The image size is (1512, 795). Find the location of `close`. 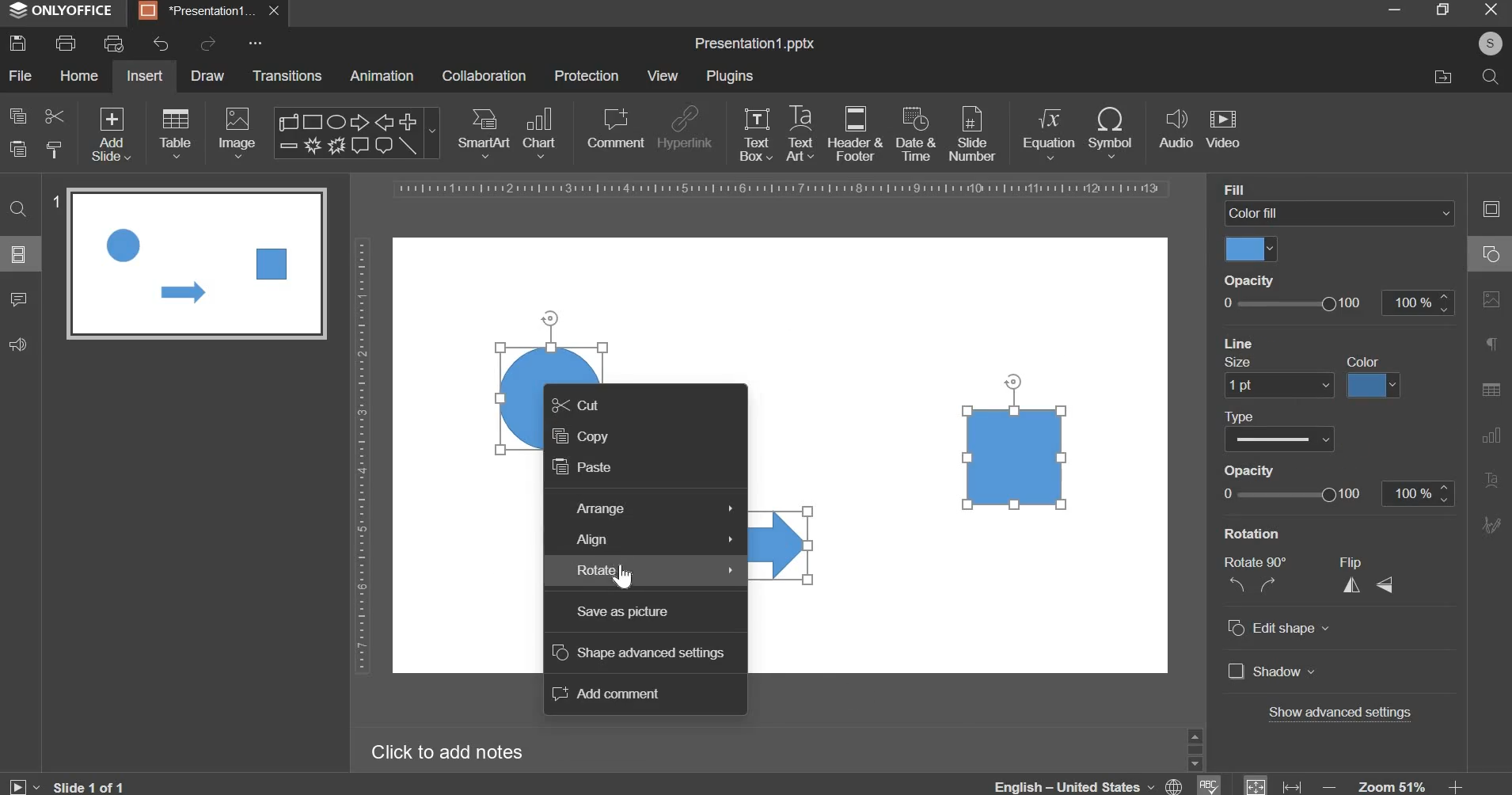

close is located at coordinates (277, 11).